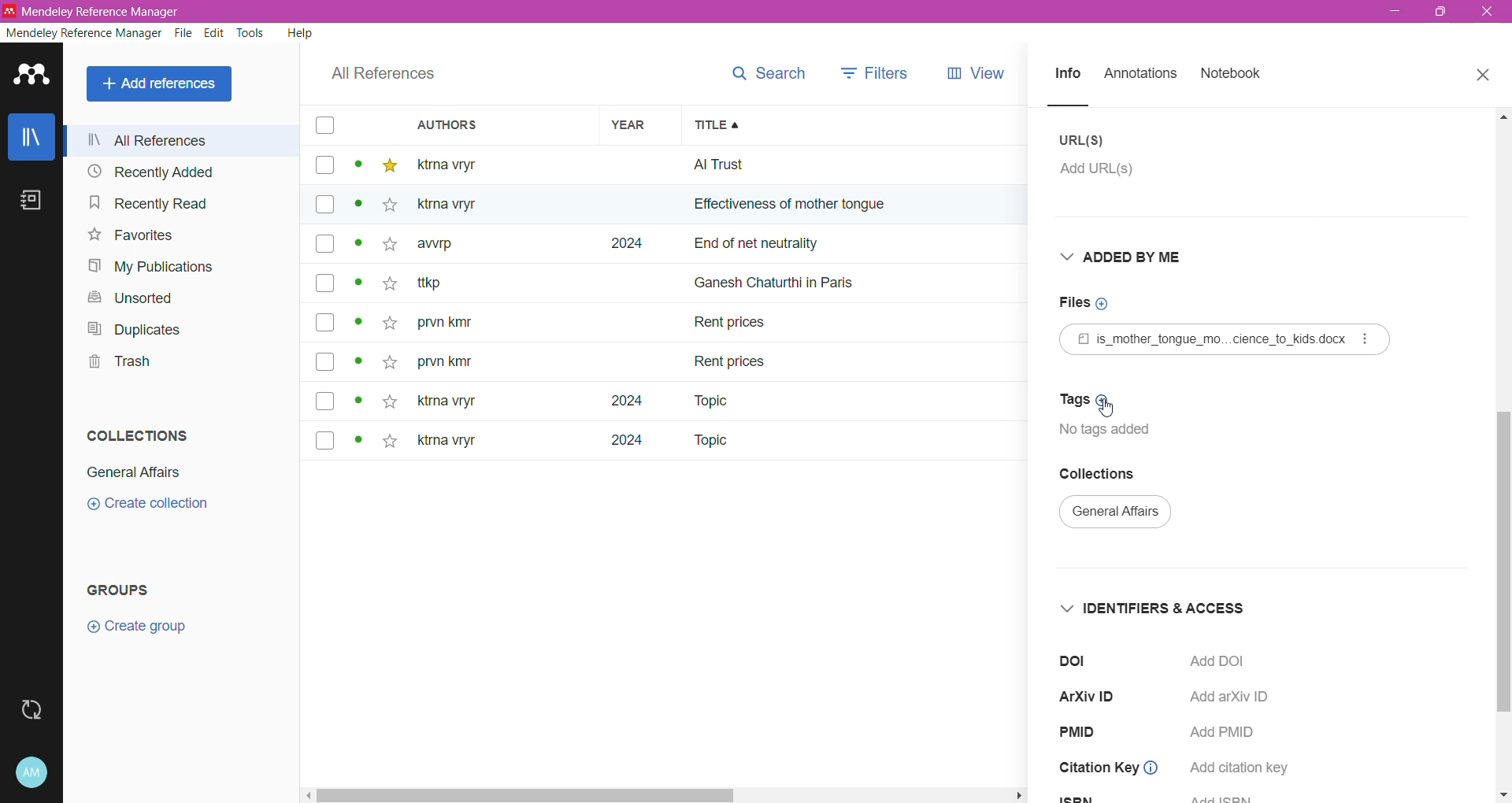  What do you see at coordinates (1397, 13) in the screenshot?
I see `minimize` at bounding box center [1397, 13].